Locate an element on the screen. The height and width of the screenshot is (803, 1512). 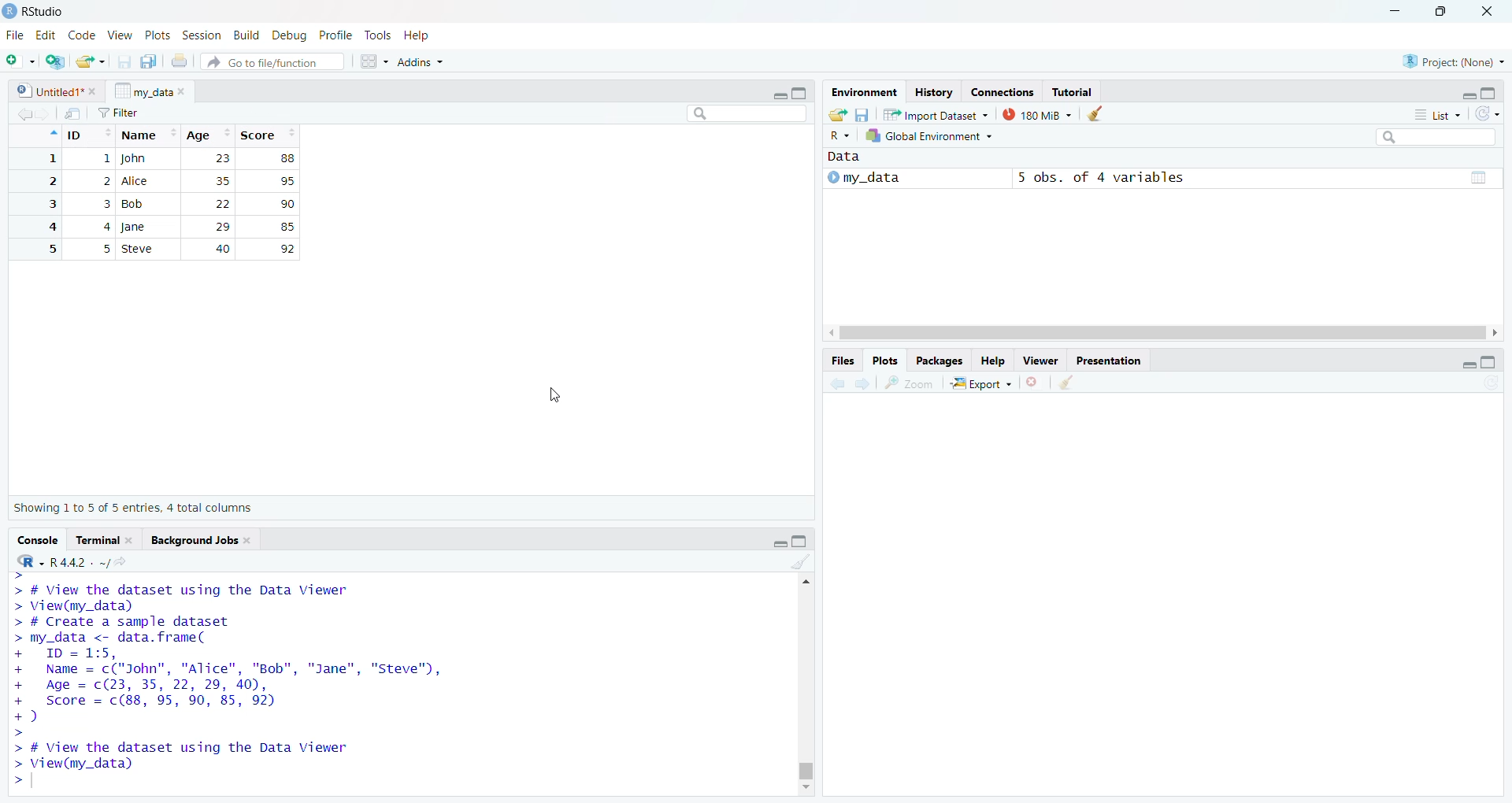
Packages is located at coordinates (940, 361).